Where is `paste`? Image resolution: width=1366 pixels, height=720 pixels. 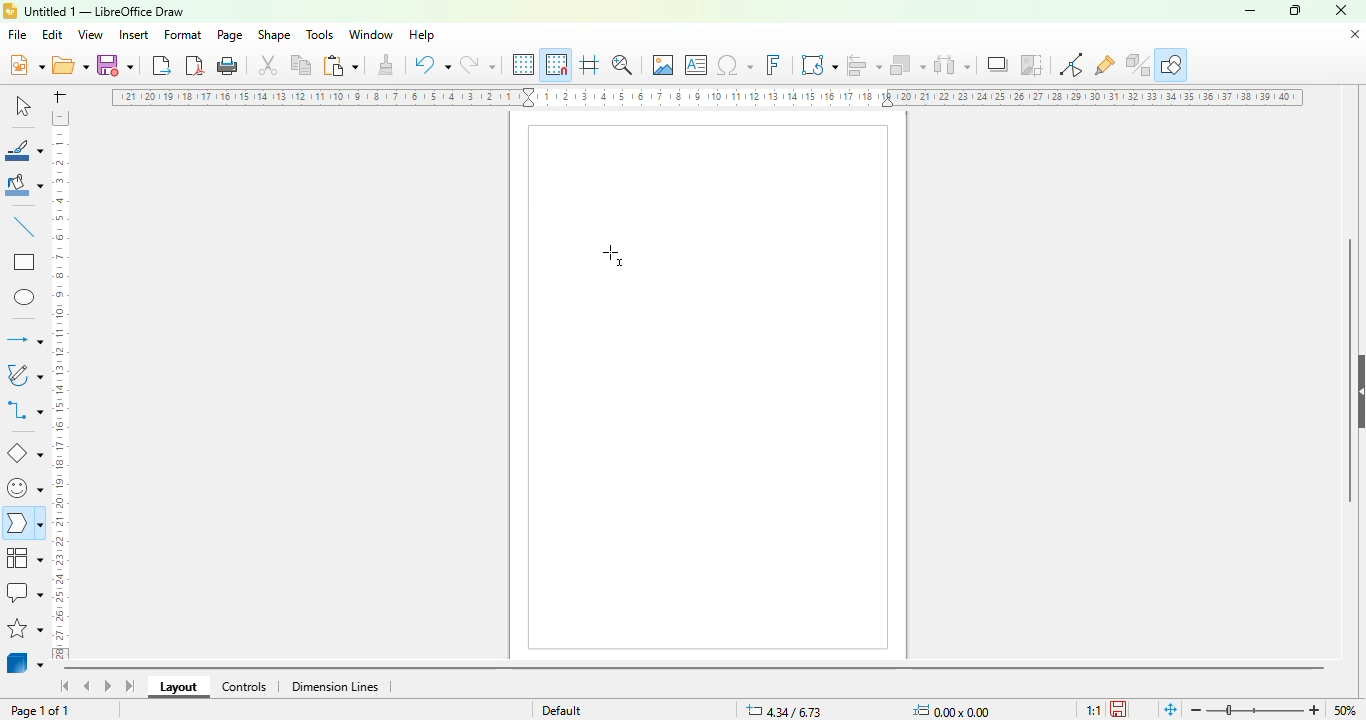
paste is located at coordinates (340, 65).